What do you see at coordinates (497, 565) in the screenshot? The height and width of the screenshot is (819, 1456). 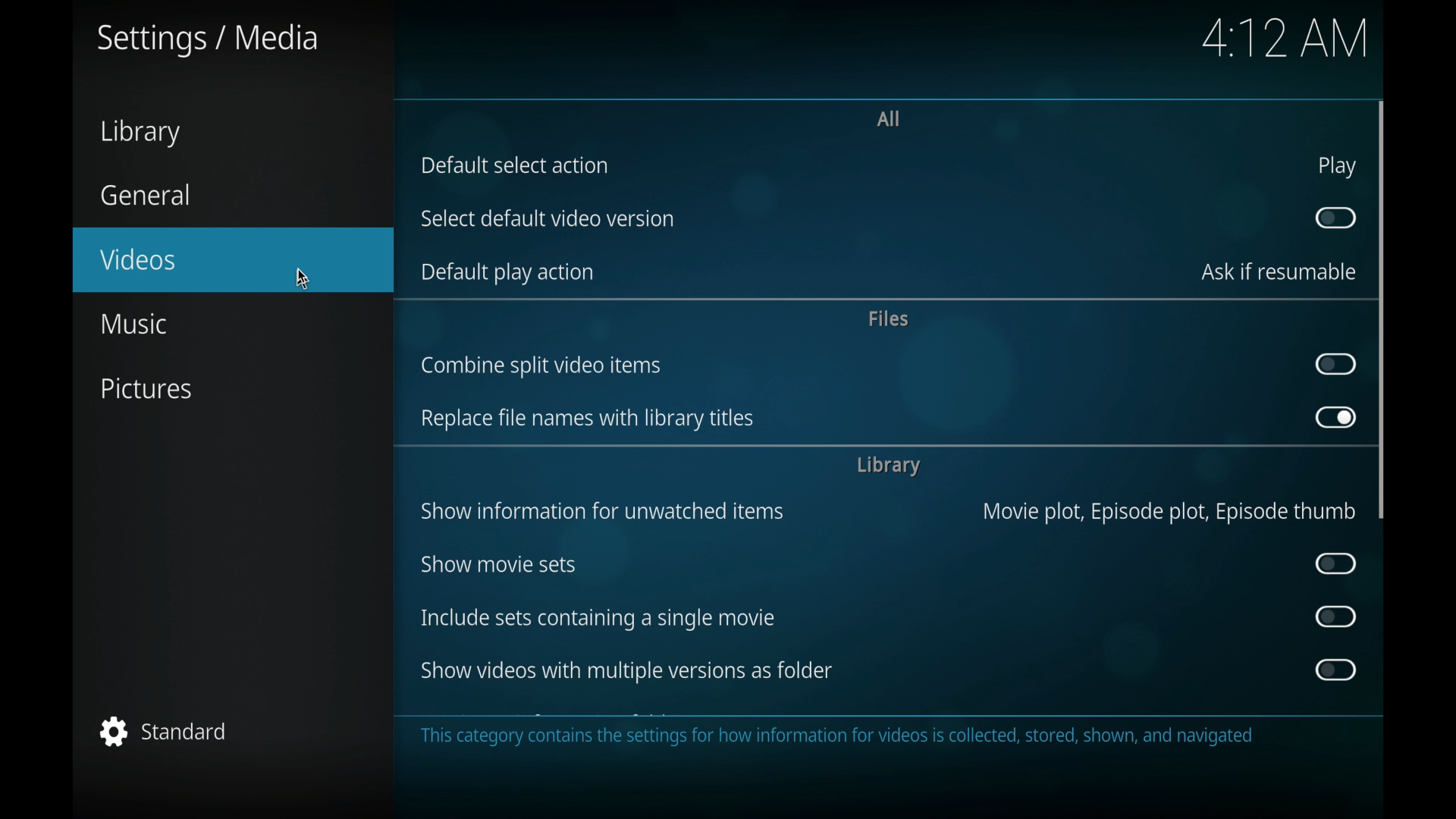 I see `show movie sets` at bounding box center [497, 565].